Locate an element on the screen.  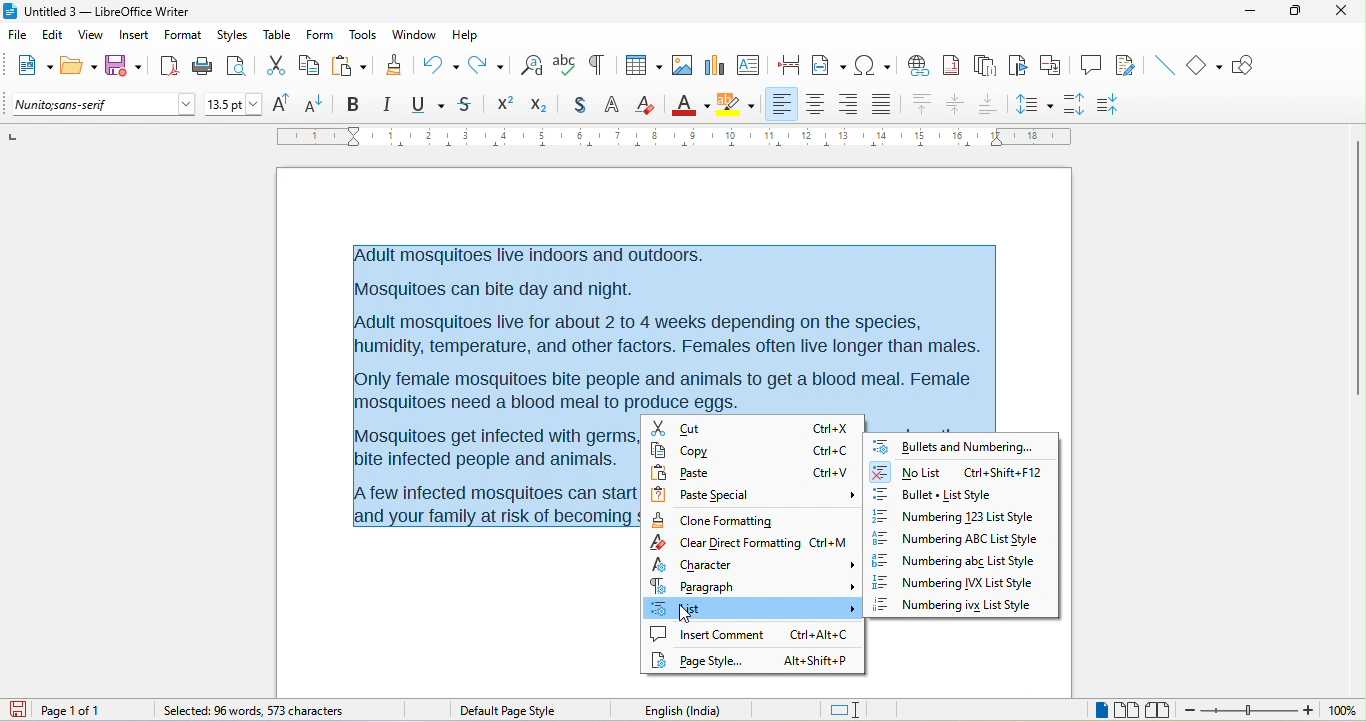
insert comment is located at coordinates (749, 635).